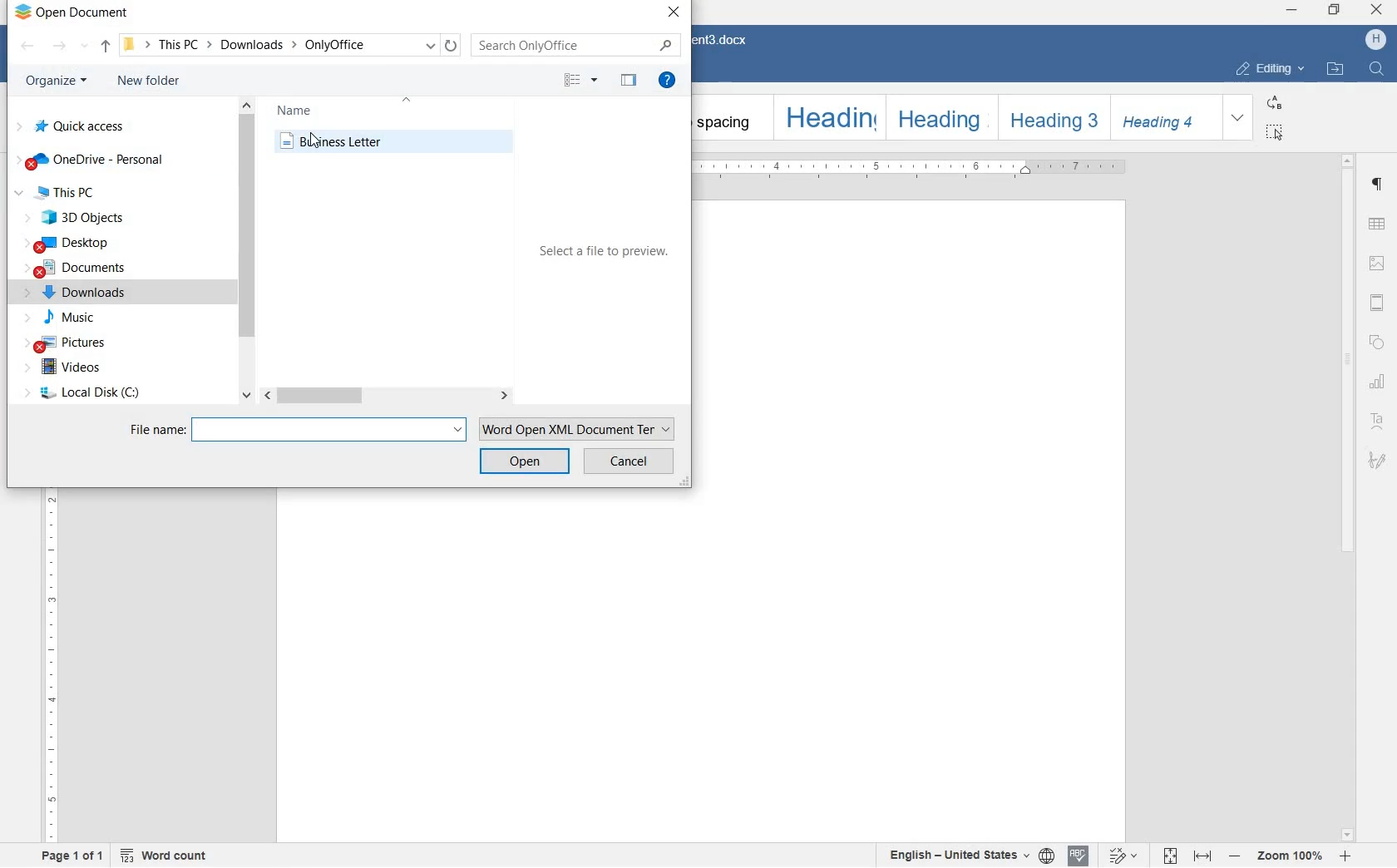 The width and height of the screenshot is (1397, 868). Describe the element at coordinates (390, 397) in the screenshot. I see `scrollbar` at that location.